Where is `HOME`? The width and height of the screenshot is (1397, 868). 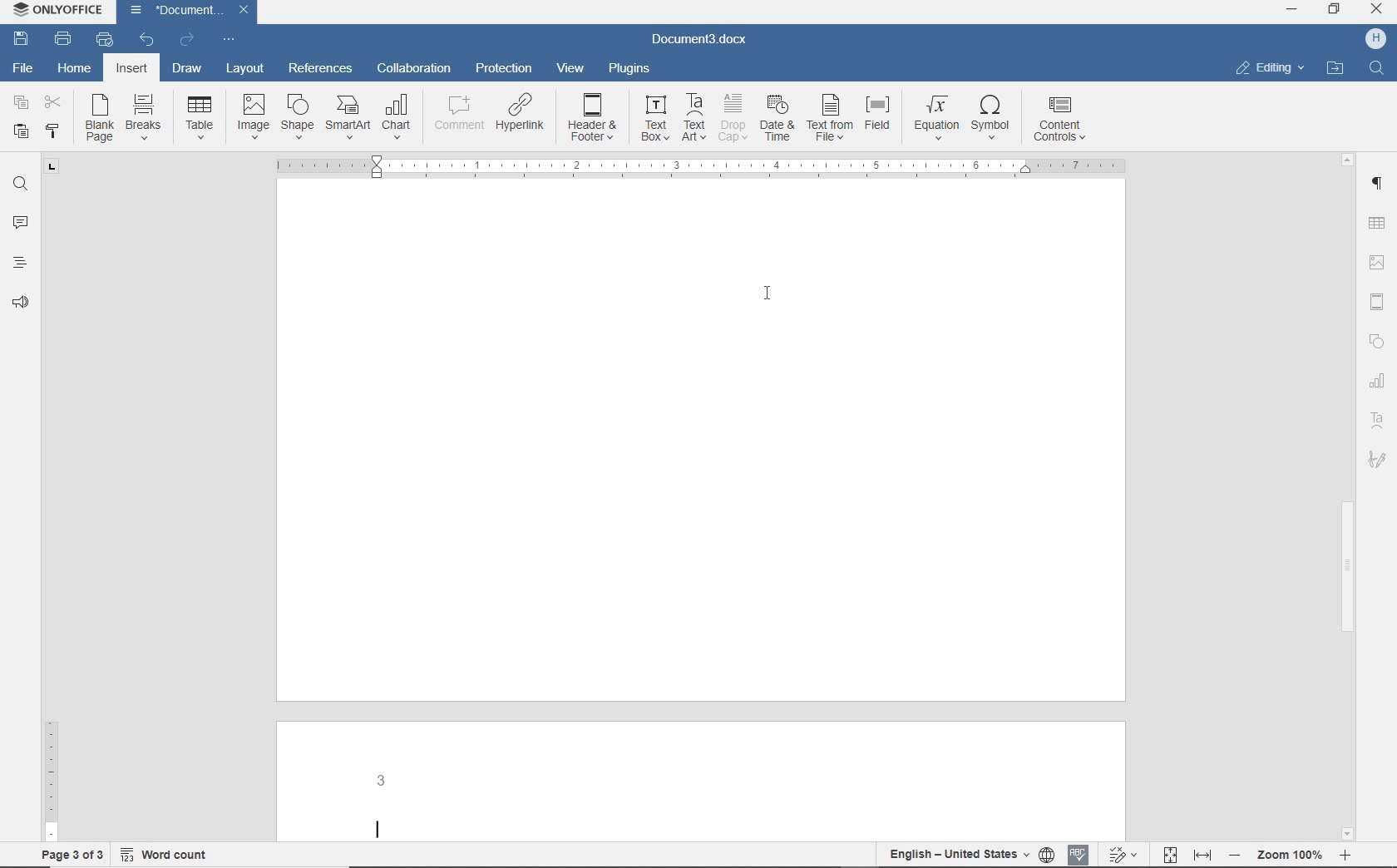 HOME is located at coordinates (76, 69).